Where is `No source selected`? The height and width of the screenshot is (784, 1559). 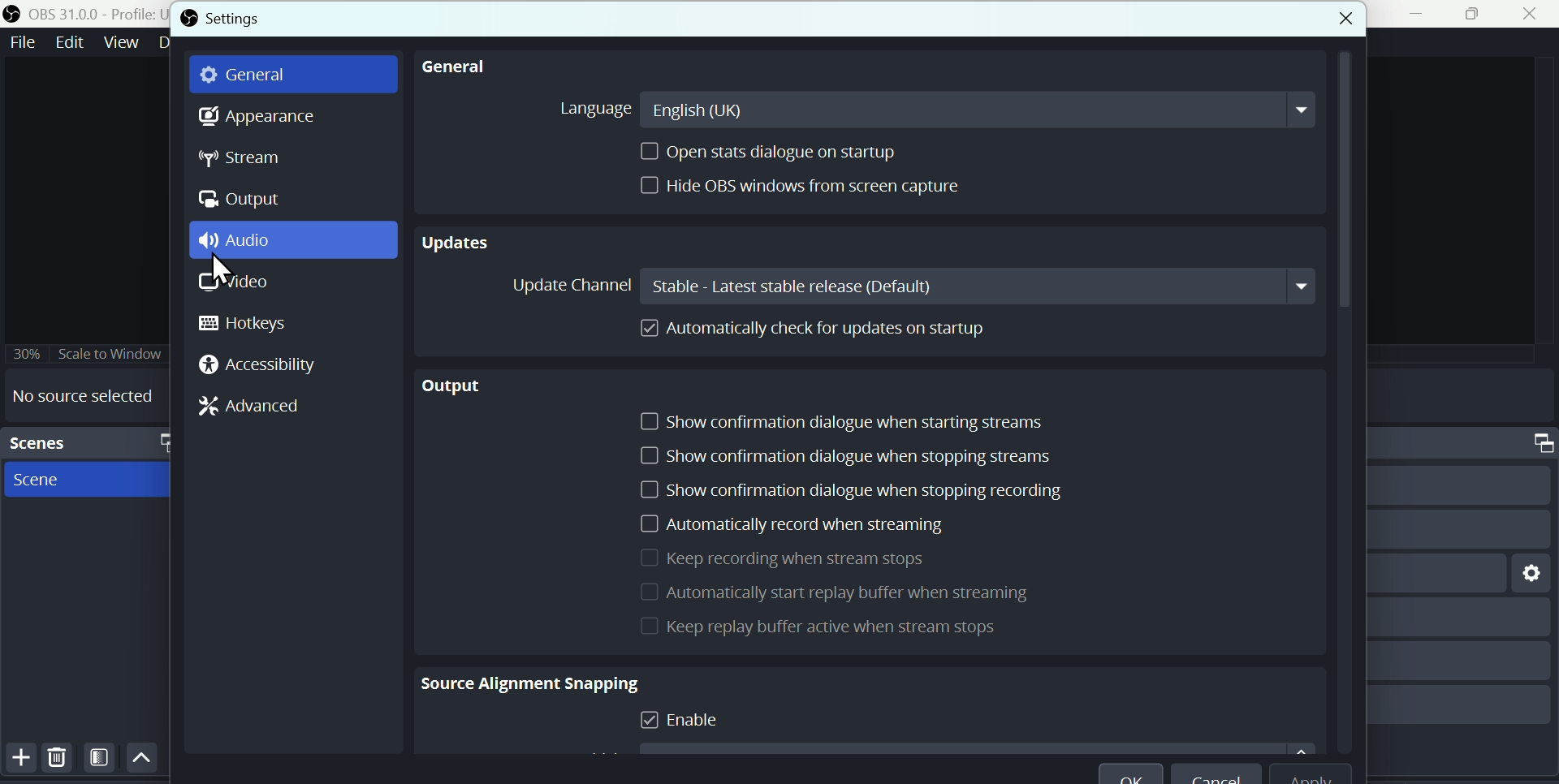
No source selected is located at coordinates (83, 395).